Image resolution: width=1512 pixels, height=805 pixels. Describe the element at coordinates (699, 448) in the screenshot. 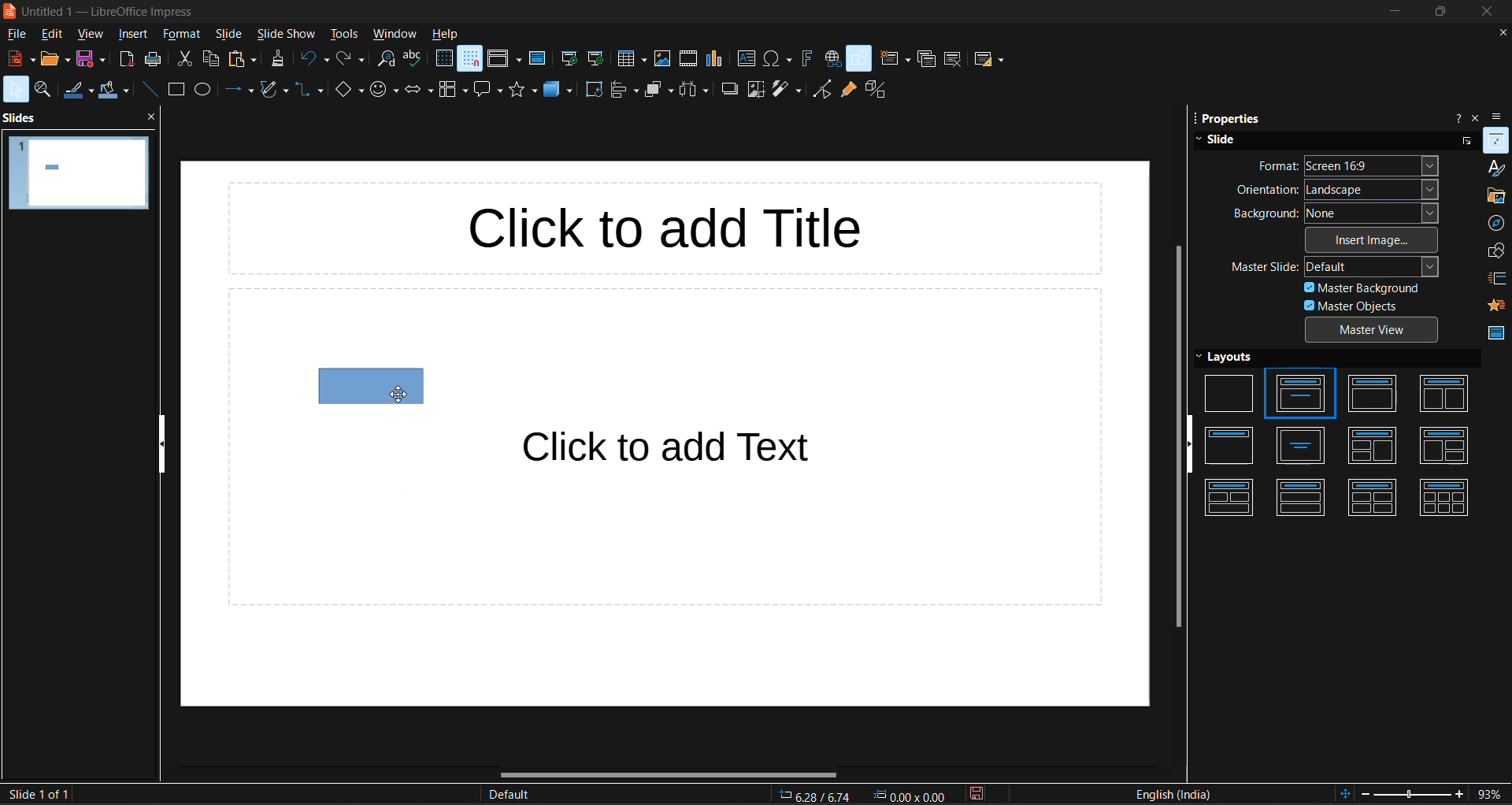

I see `Click to add Text` at that location.